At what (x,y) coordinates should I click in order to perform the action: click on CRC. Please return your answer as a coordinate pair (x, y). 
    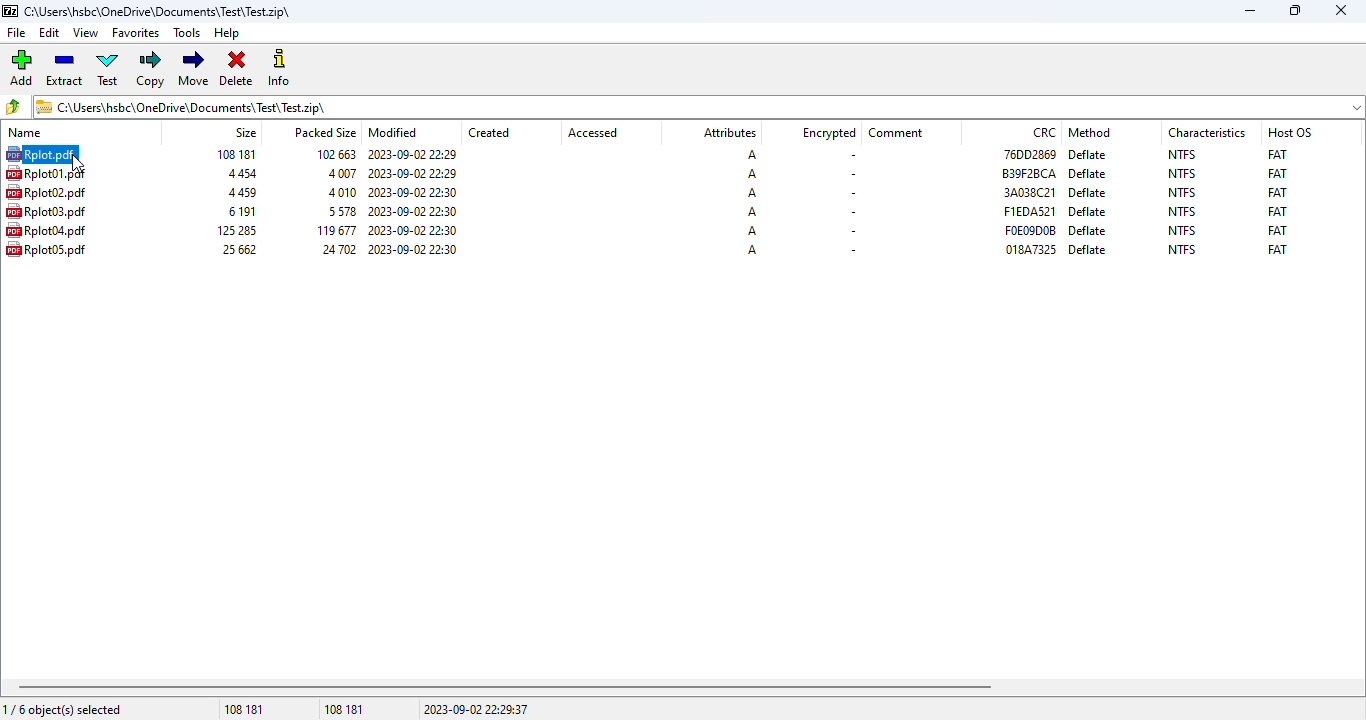
    Looking at the image, I should click on (1029, 211).